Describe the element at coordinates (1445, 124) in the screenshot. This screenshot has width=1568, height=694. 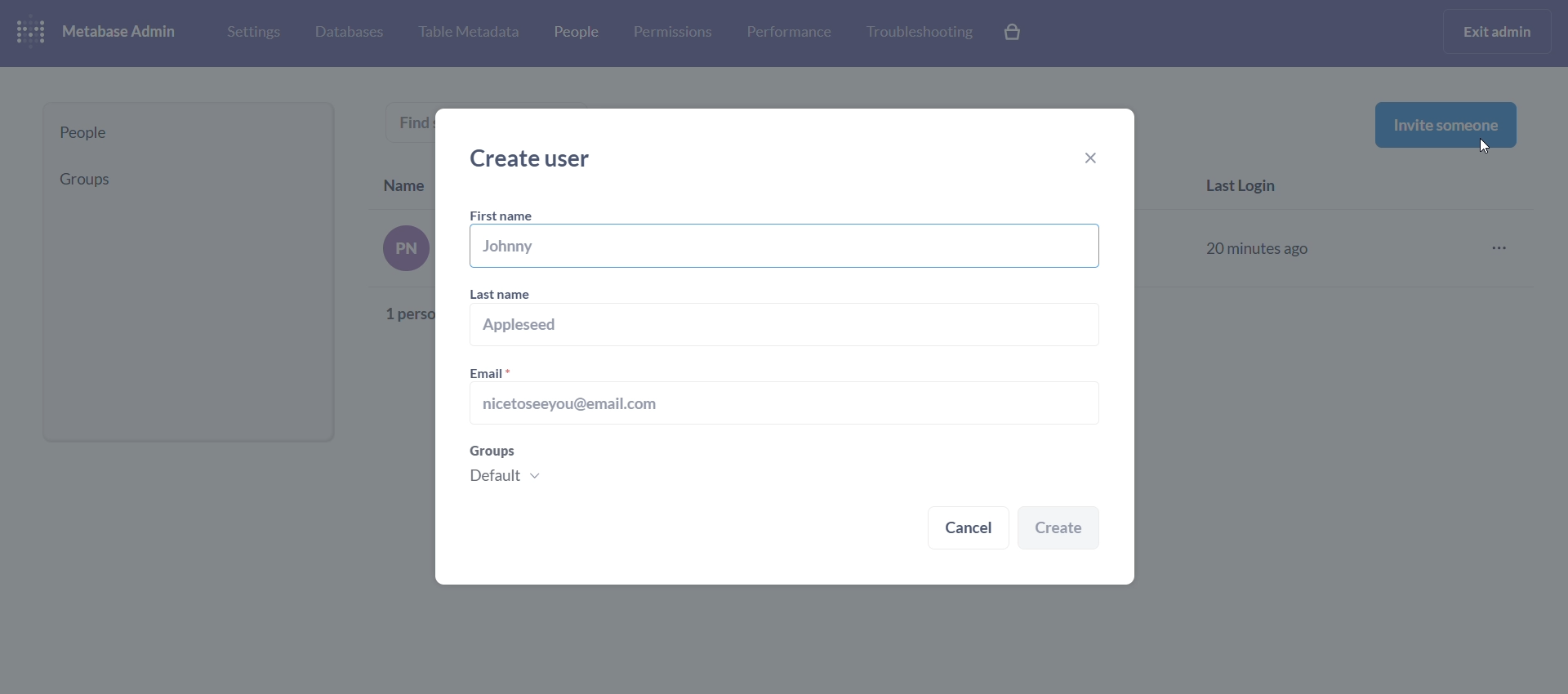
I see `invite someone` at that location.